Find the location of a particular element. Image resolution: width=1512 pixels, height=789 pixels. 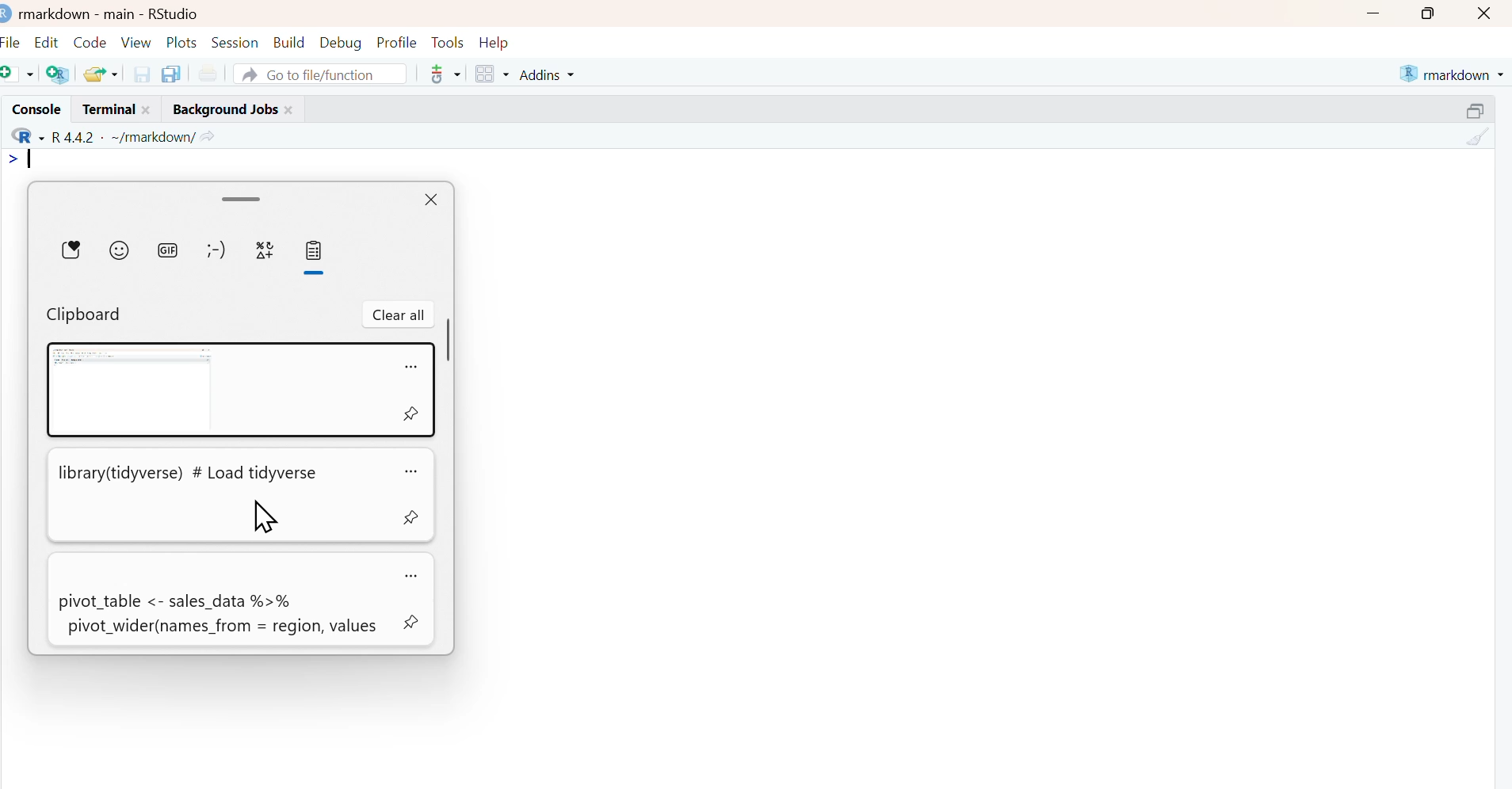

save is located at coordinates (143, 73).